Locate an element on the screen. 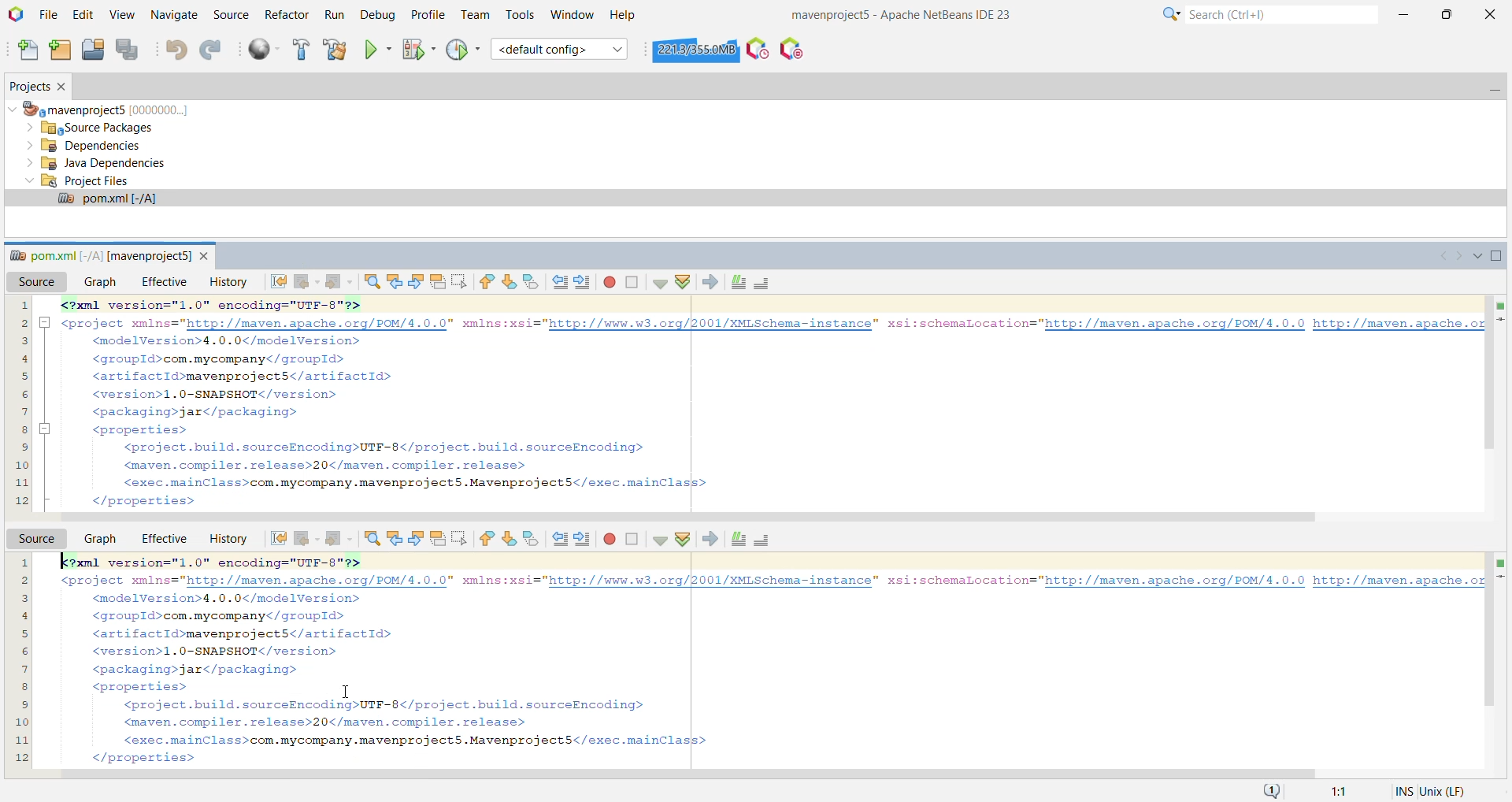  3 is located at coordinates (21, 339).